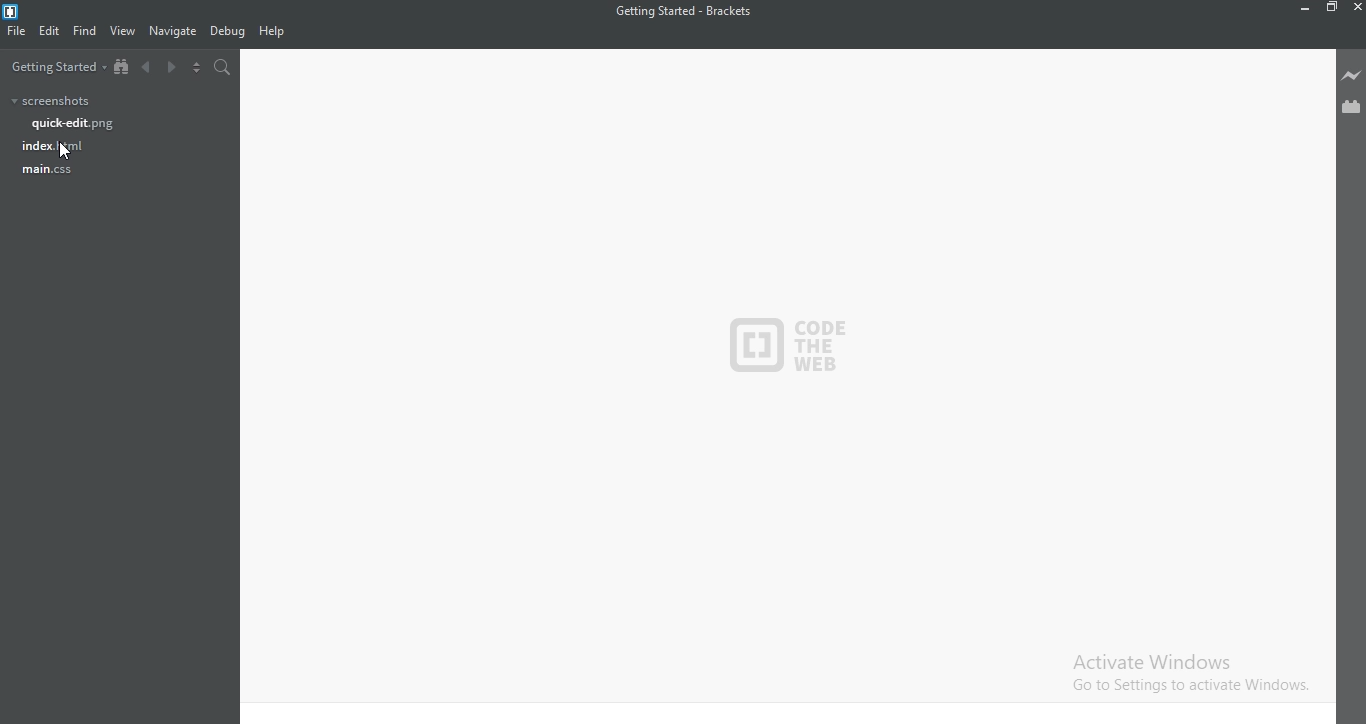 The height and width of the screenshot is (724, 1366). What do you see at coordinates (196, 66) in the screenshot?
I see `Split the editor vertically or horizontally` at bounding box center [196, 66].